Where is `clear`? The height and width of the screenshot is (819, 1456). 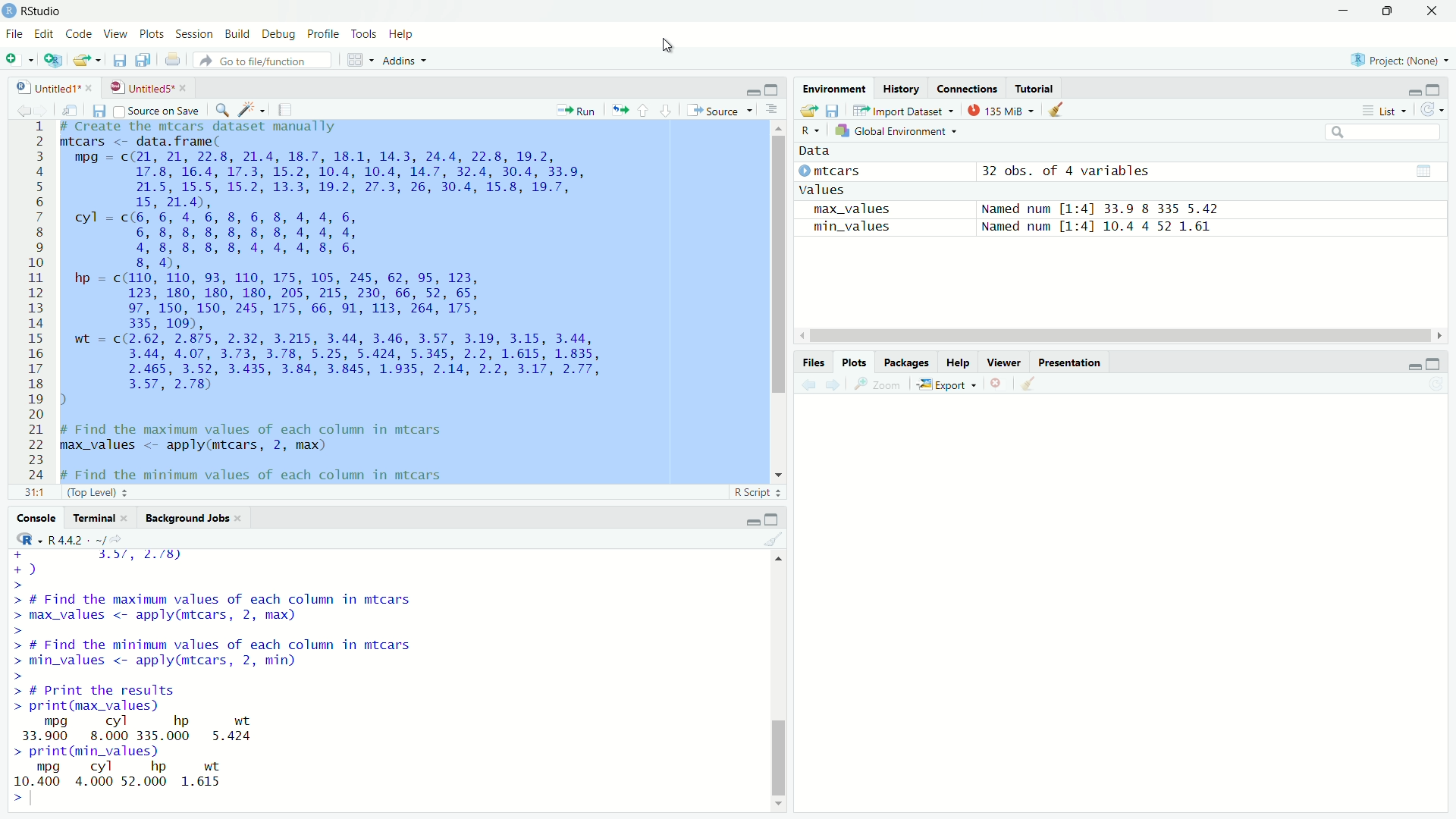 clear is located at coordinates (771, 541).